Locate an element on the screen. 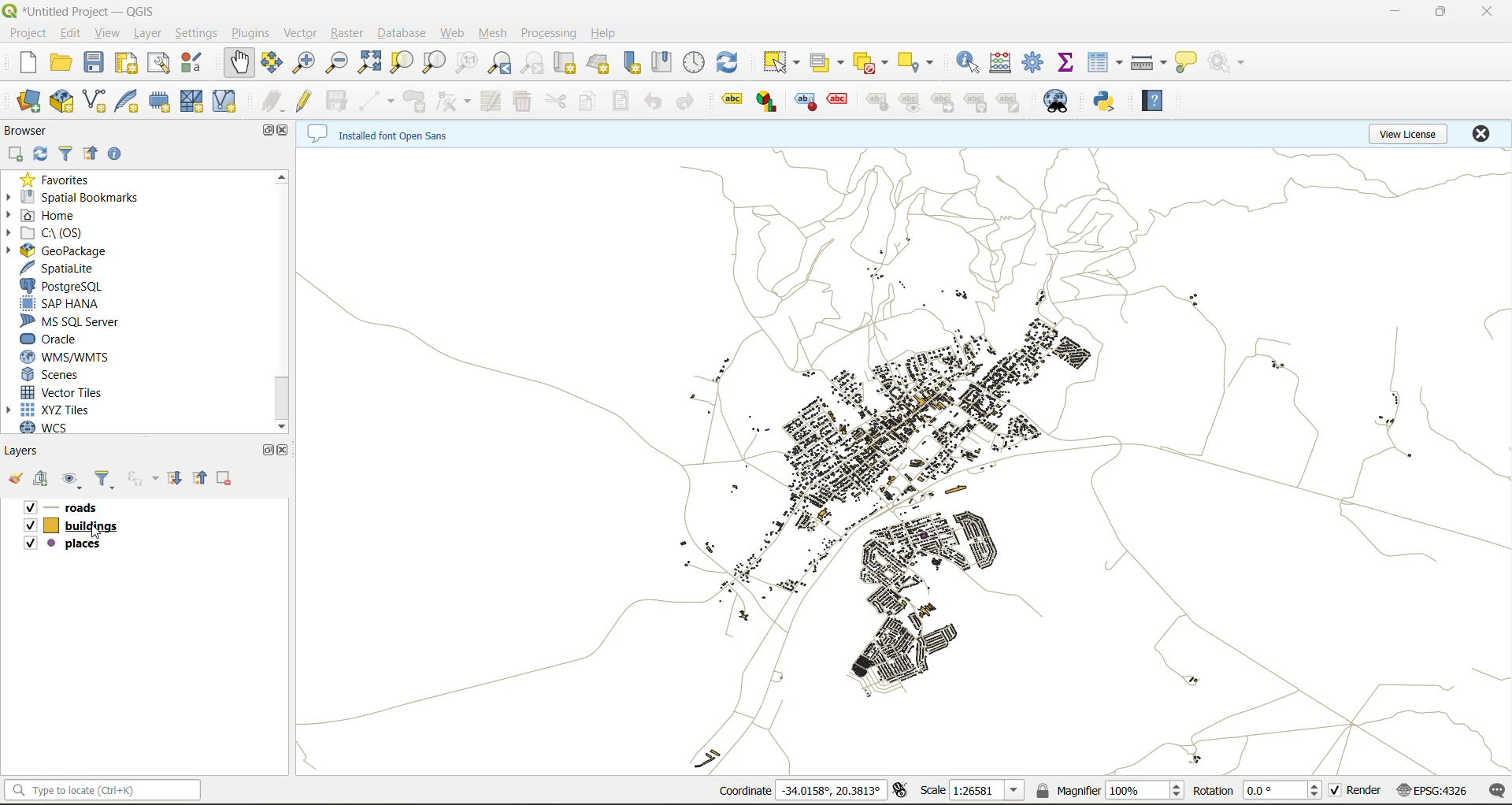 This screenshot has height=805, width=1512. open is located at coordinates (18, 480).